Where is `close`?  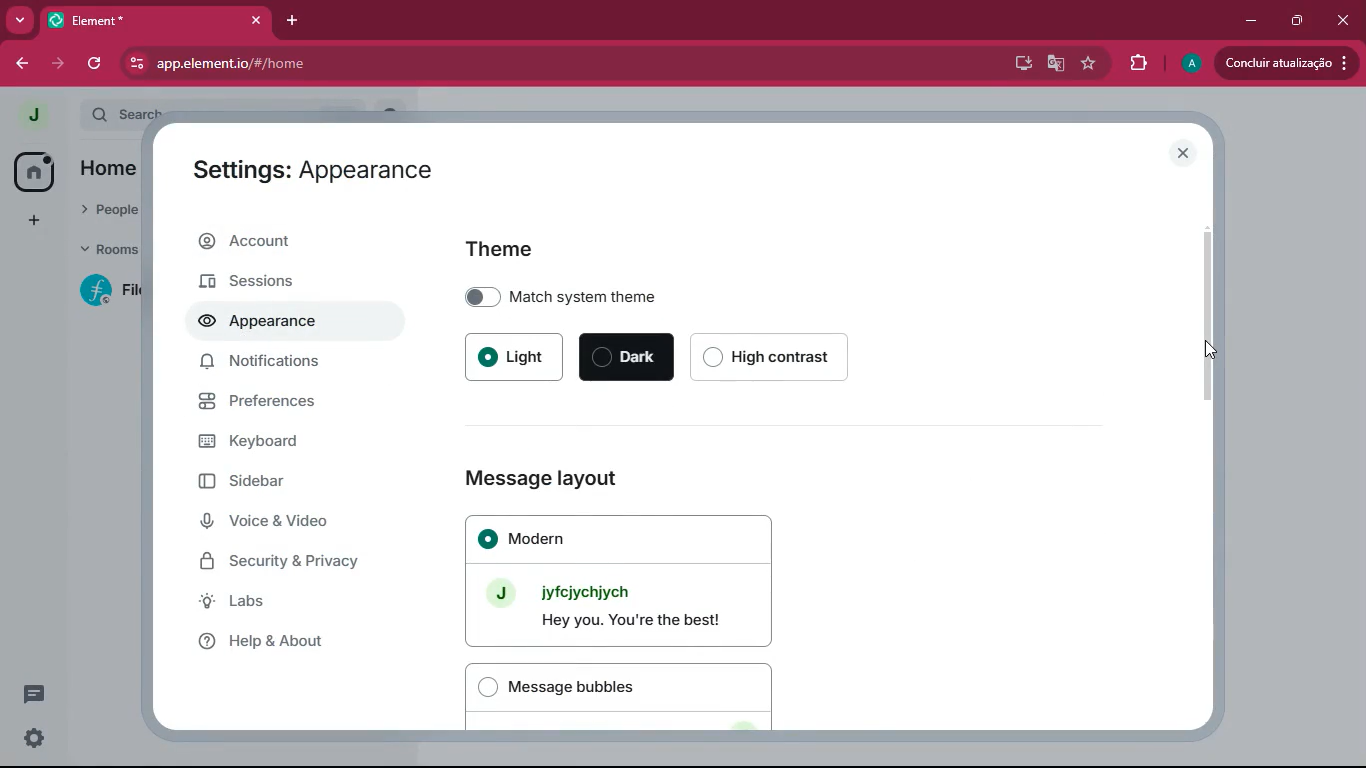
close is located at coordinates (255, 20).